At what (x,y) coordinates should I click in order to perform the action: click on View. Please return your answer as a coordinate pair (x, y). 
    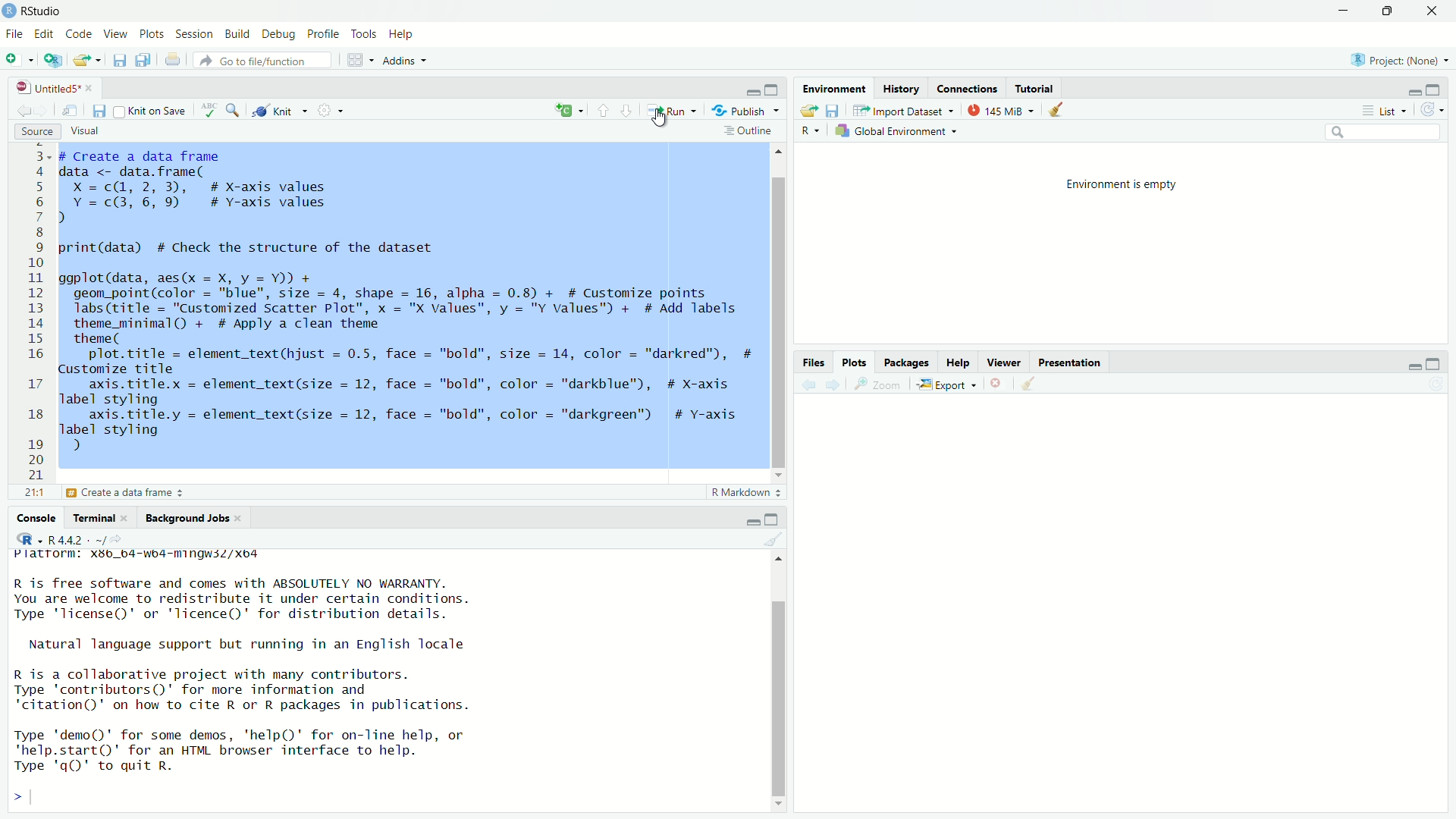
    Looking at the image, I should click on (115, 34).